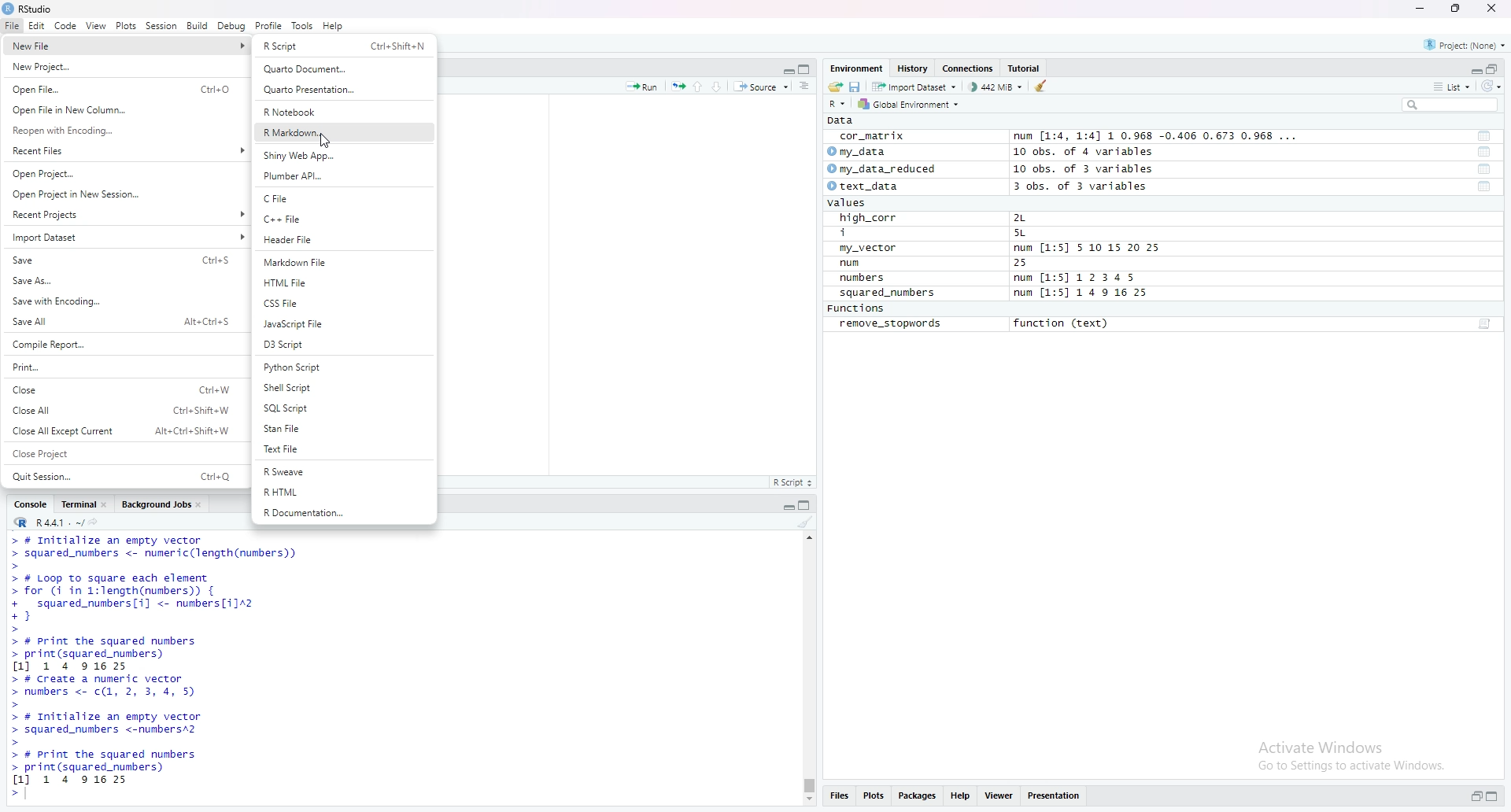  What do you see at coordinates (854, 264) in the screenshot?
I see `num` at bounding box center [854, 264].